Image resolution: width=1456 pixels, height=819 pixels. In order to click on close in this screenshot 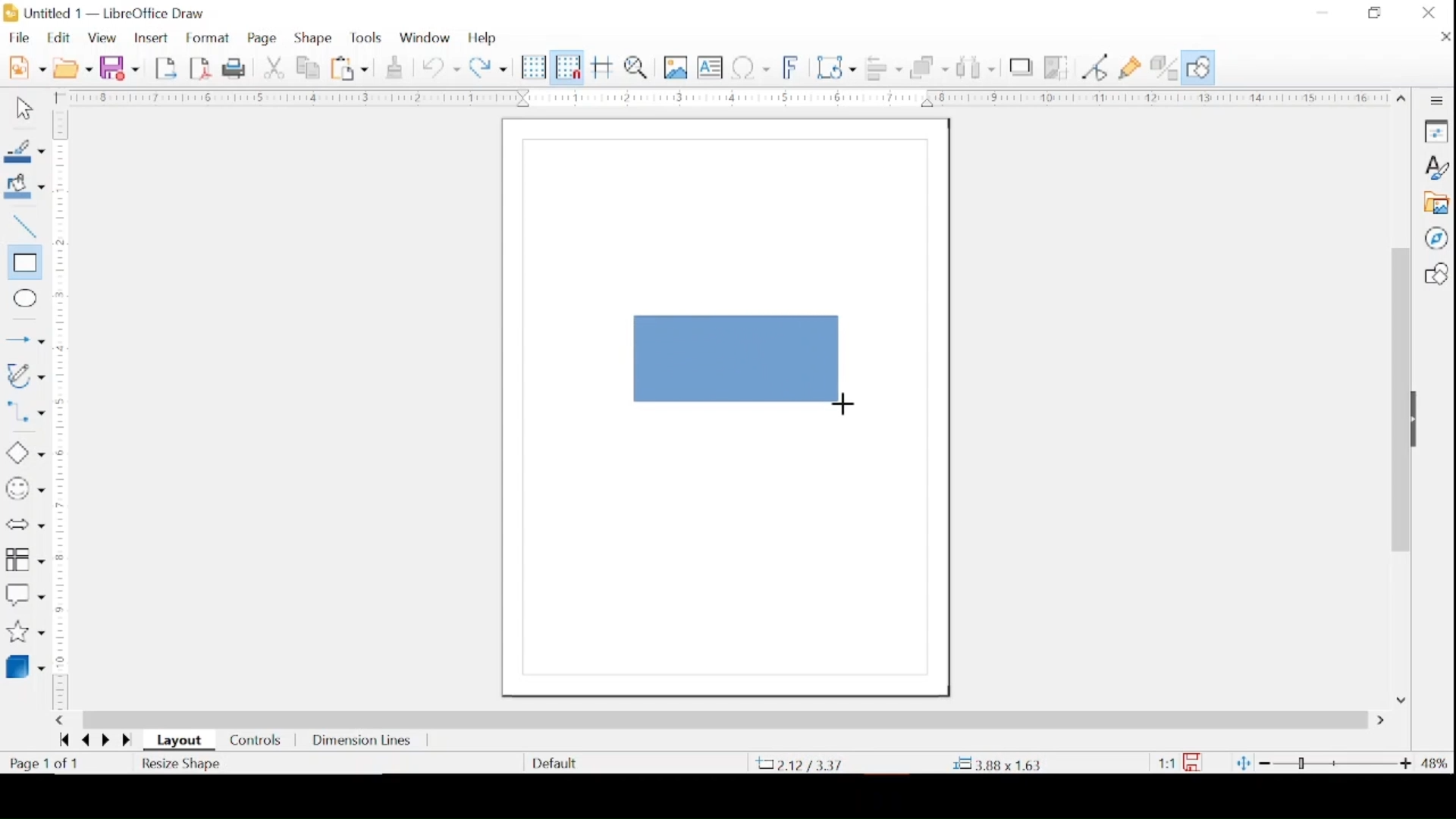, I will do `click(1429, 13)`.